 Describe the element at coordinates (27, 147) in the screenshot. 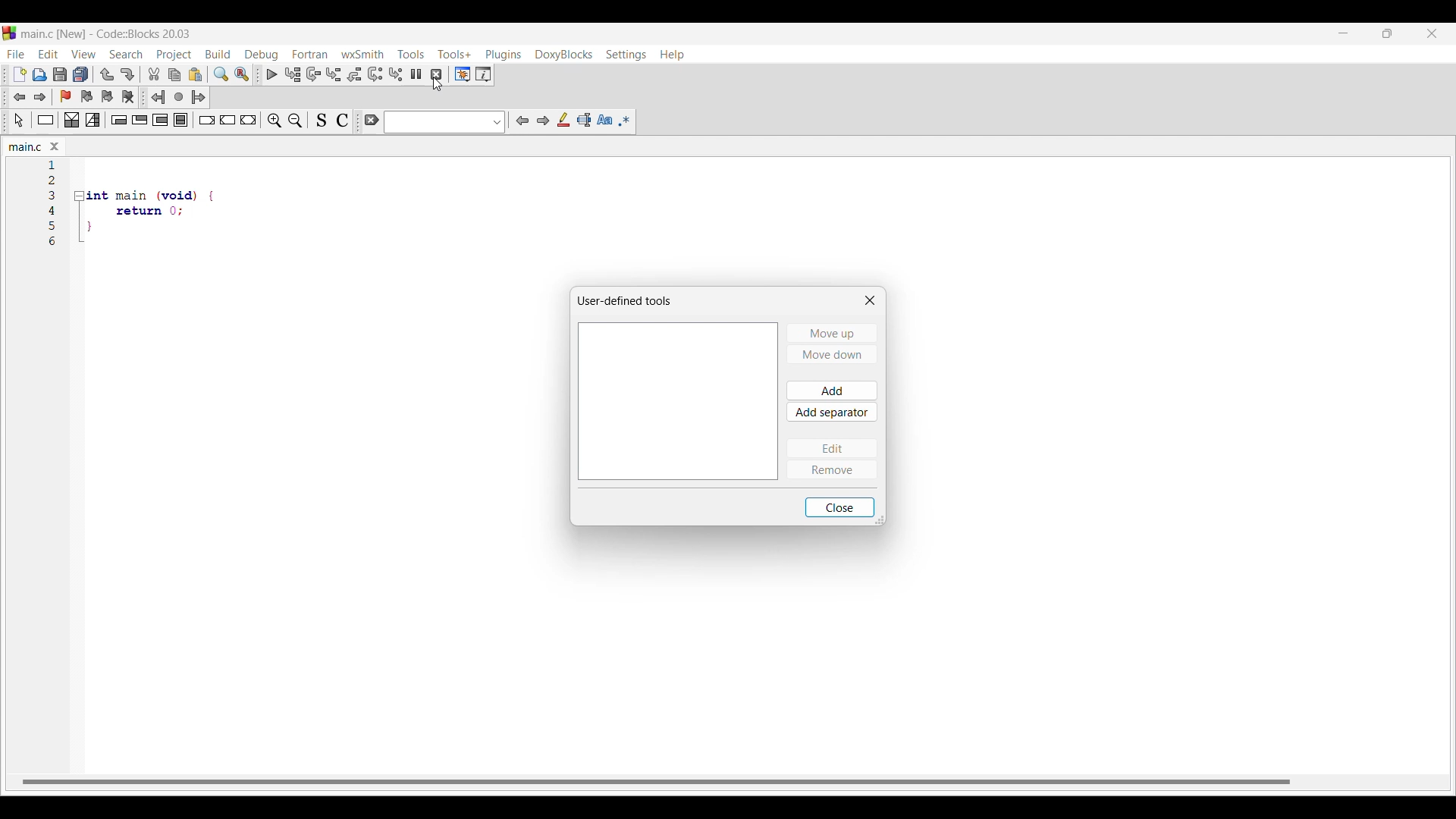

I see `Current tab` at that location.